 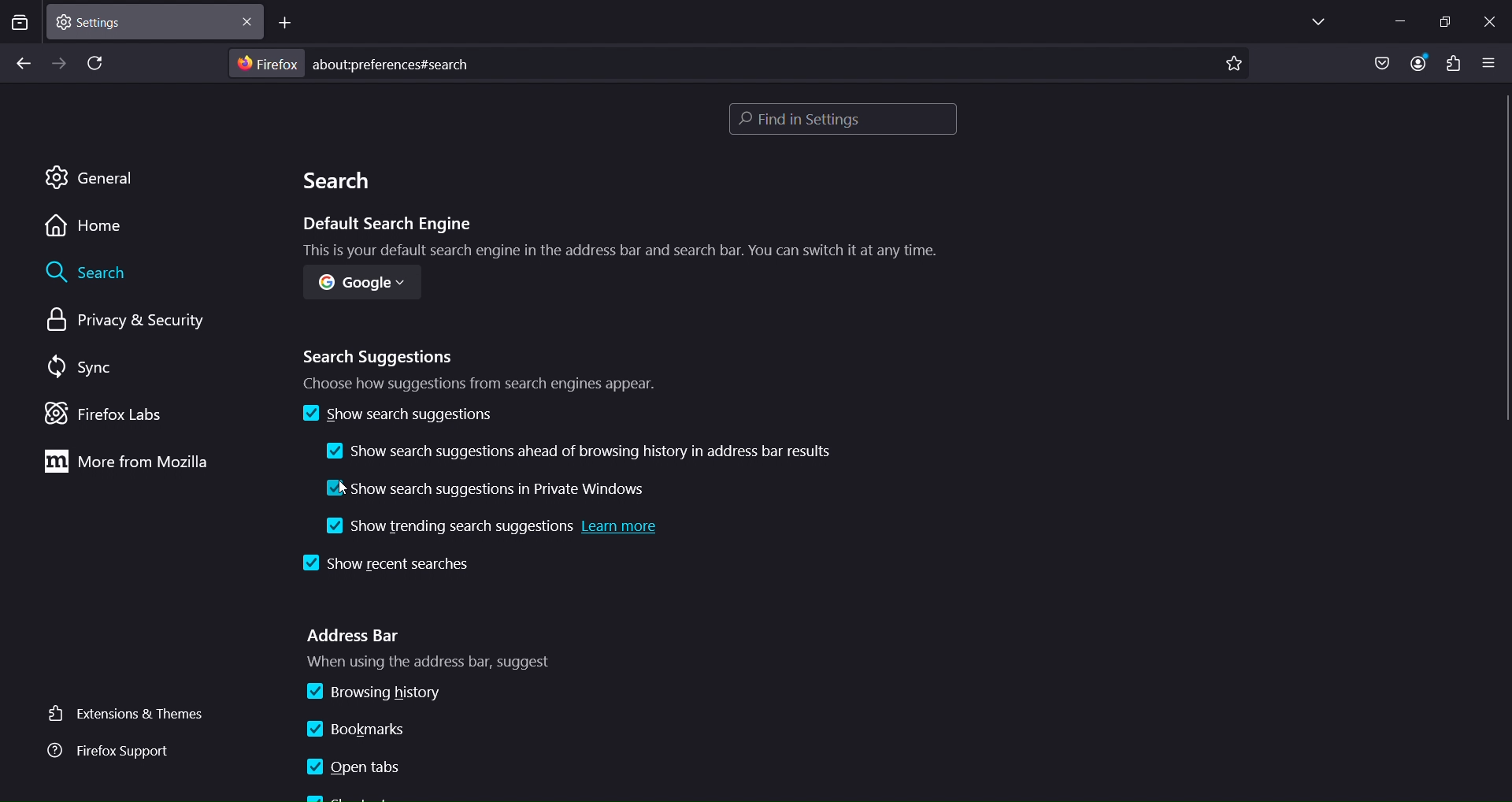 What do you see at coordinates (344, 487) in the screenshot?
I see `cursor` at bounding box center [344, 487].